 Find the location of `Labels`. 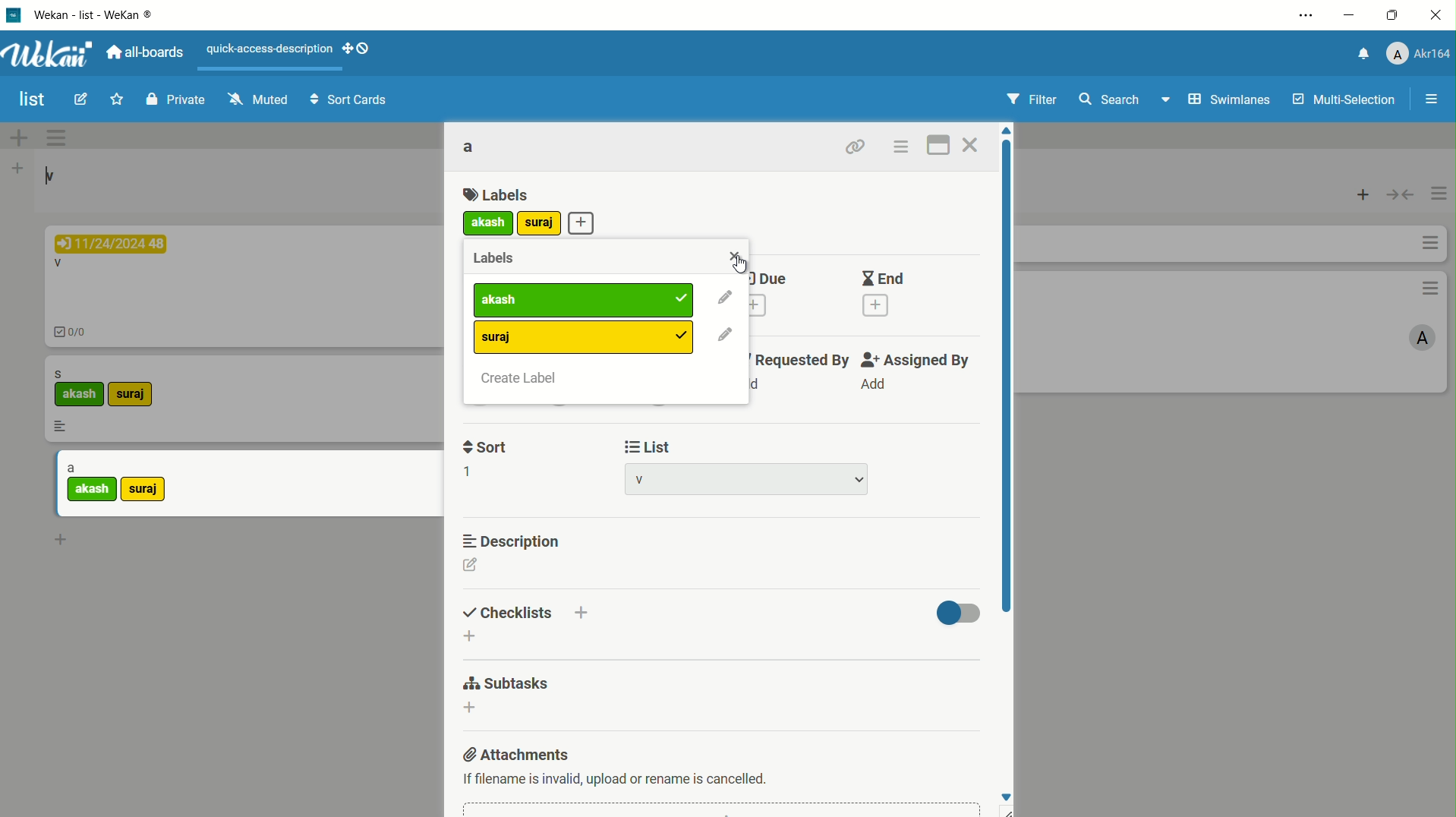

Labels is located at coordinates (522, 260).